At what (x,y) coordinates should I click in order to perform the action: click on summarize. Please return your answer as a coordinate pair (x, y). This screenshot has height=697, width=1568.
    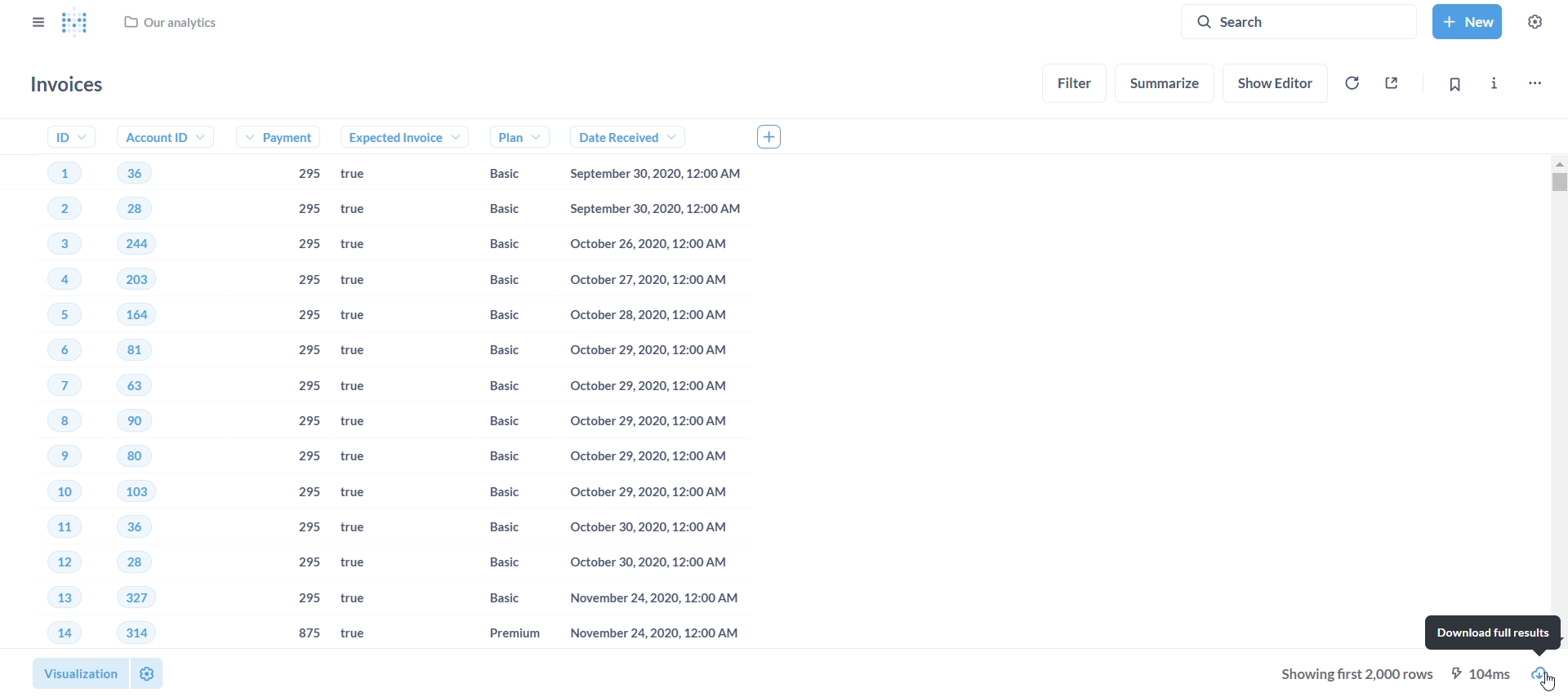
    Looking at the image, I should click on (1166, 83).